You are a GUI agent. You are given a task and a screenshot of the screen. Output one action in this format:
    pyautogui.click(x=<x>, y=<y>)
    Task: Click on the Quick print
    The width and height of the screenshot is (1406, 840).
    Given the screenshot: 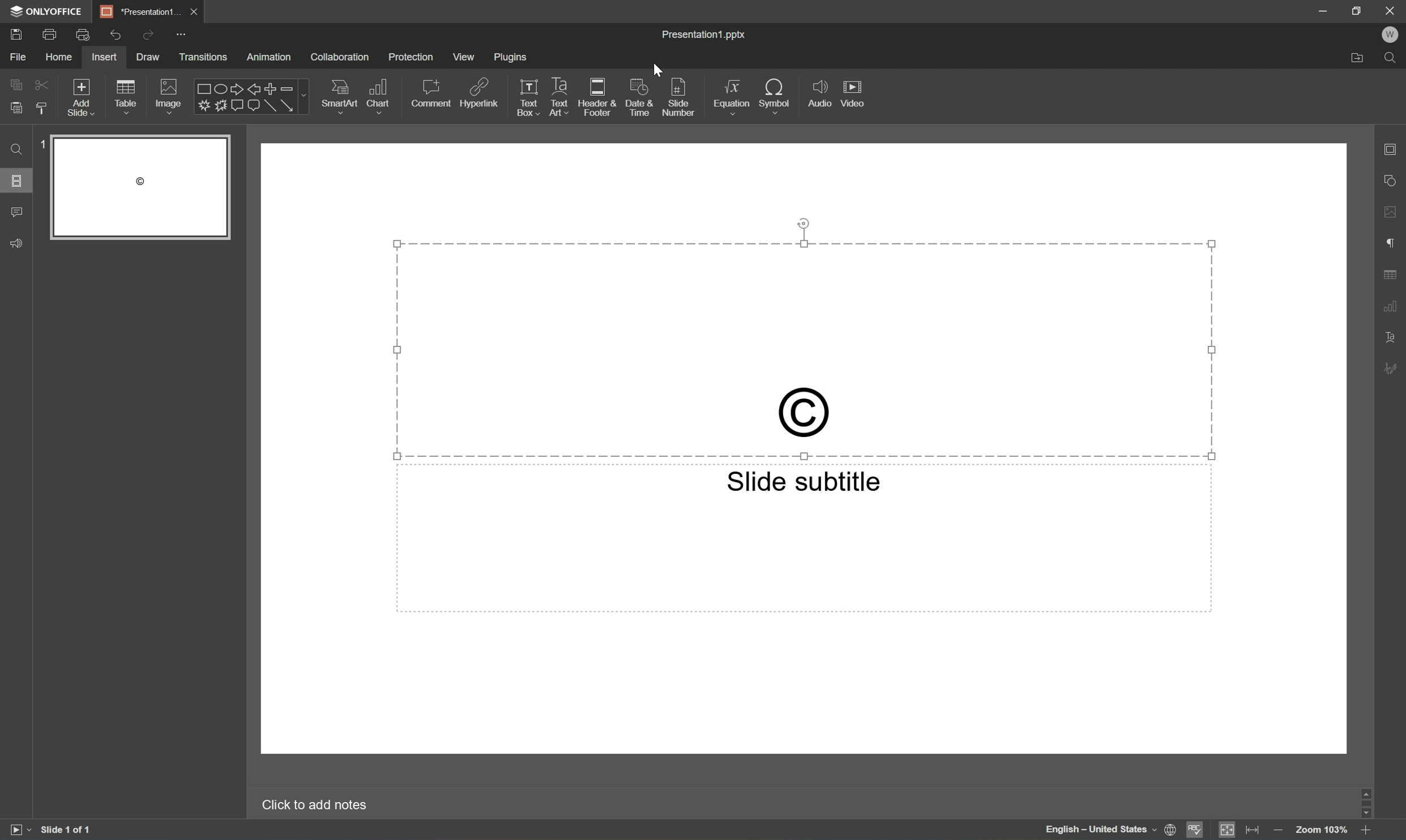 What is the action you would take?
    pyautogui.click(x=81, y=36)
    